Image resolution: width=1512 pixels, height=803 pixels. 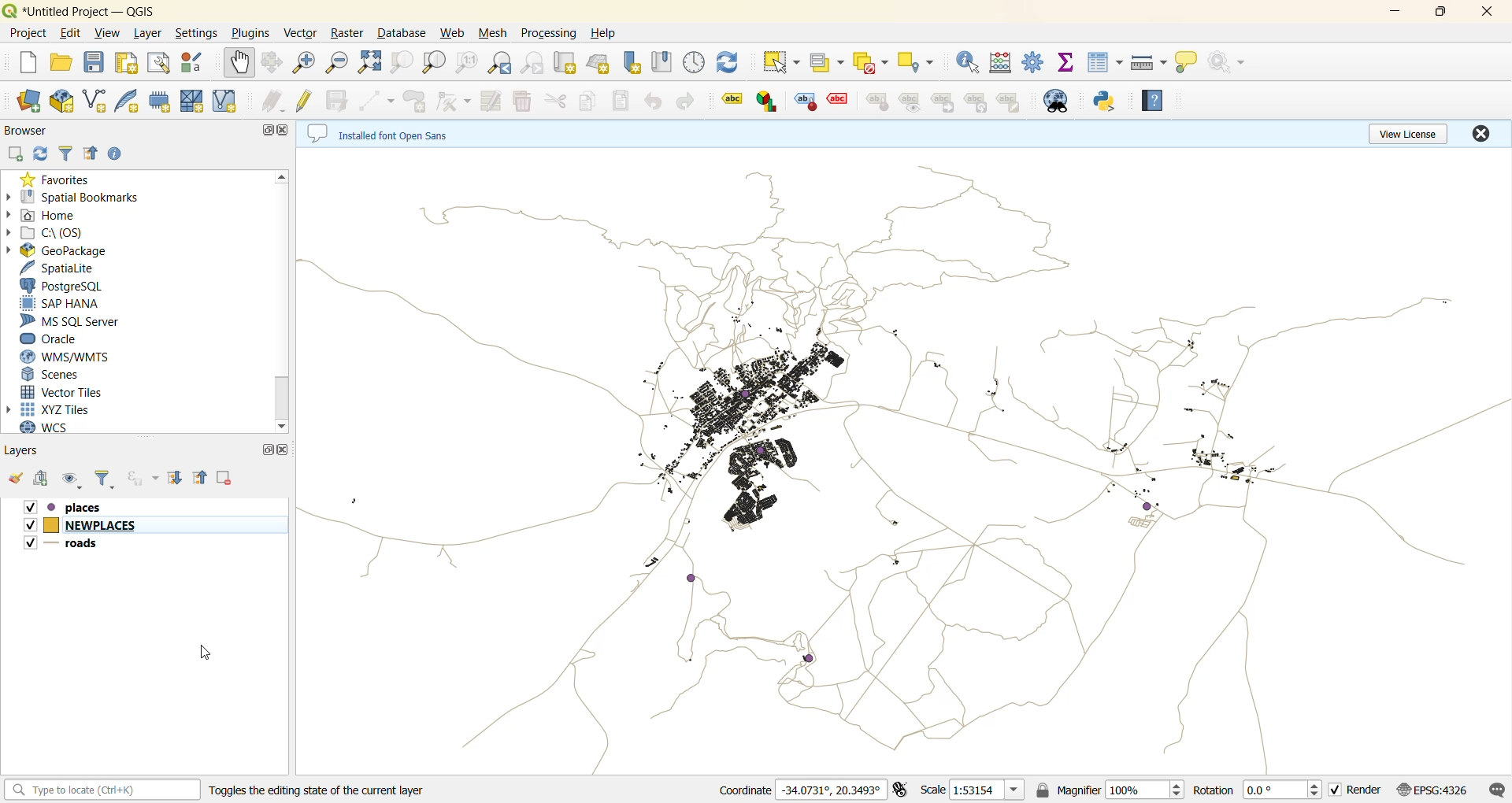 I want to click on processing, so click(x=551, y=31).